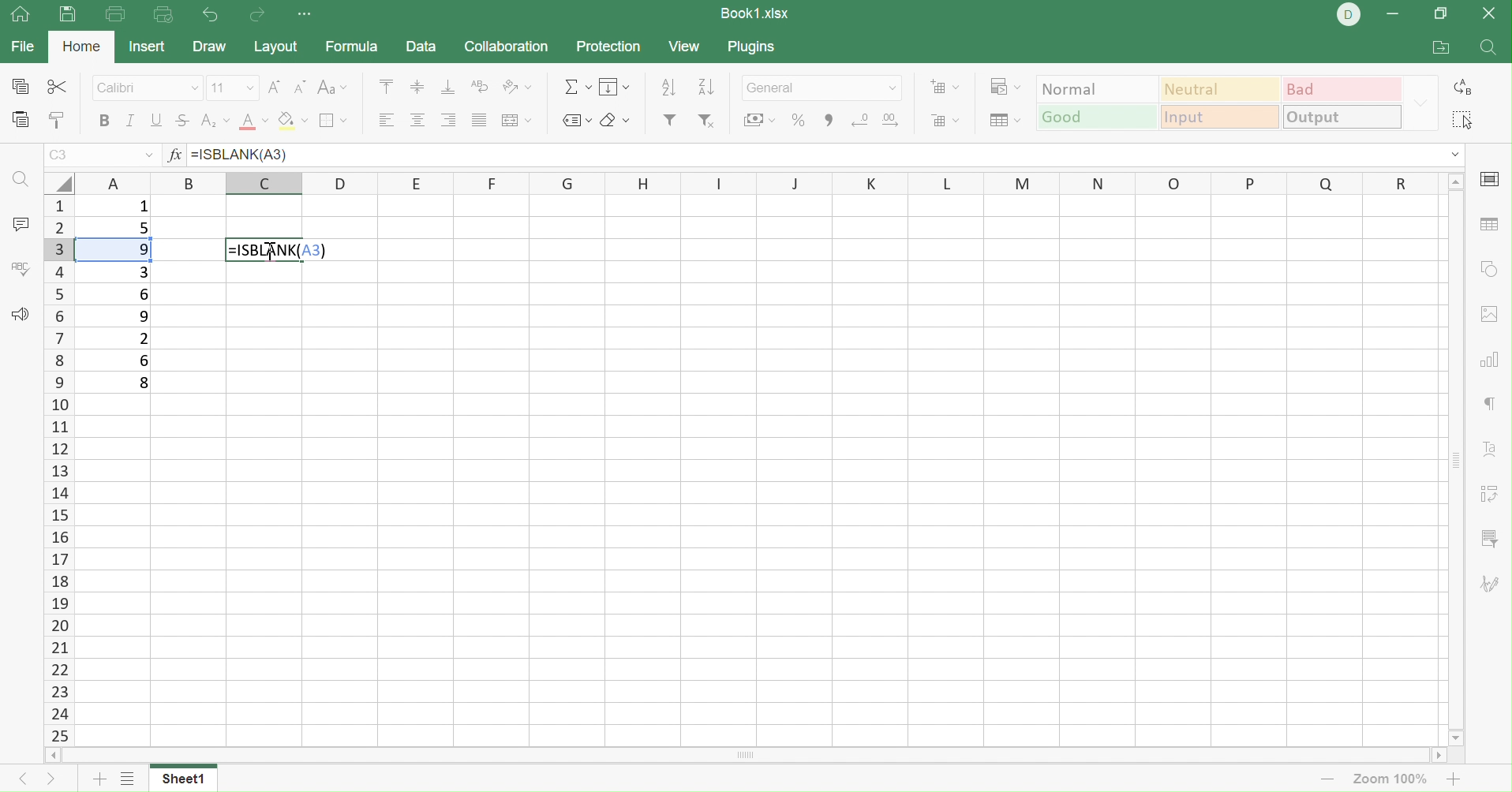  What do you see at coordinates (1441, 49) in the screenshot?
I see `Open file location` at bounding box center [1441, 49].